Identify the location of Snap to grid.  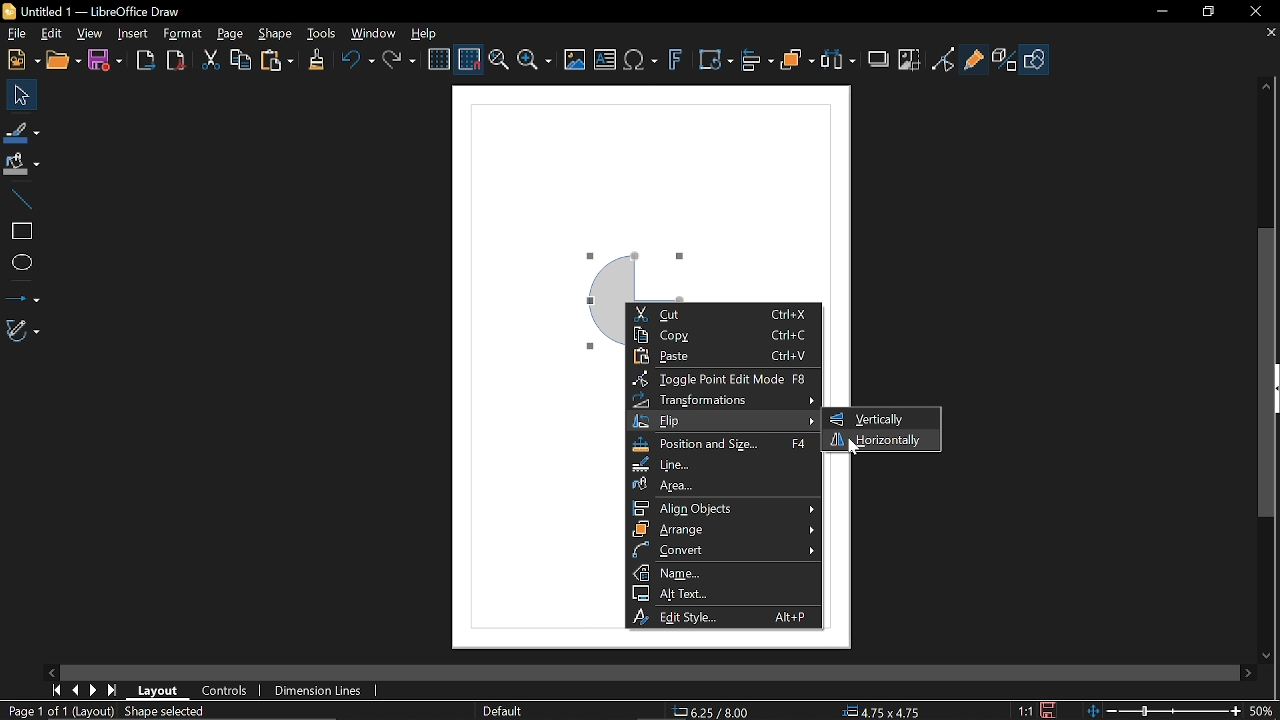
(470, 58).